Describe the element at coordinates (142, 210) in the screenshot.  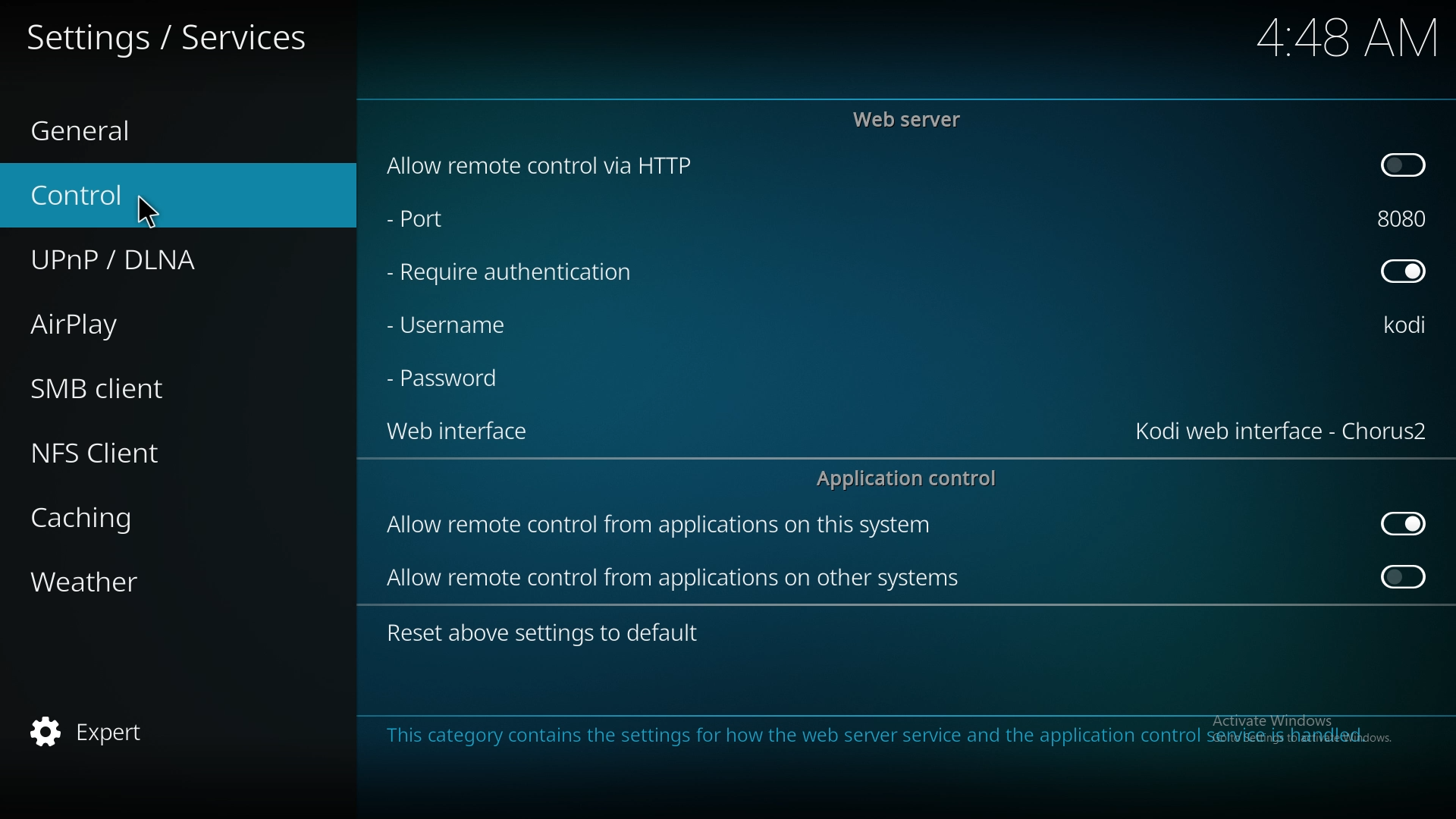
I see `` at that location.